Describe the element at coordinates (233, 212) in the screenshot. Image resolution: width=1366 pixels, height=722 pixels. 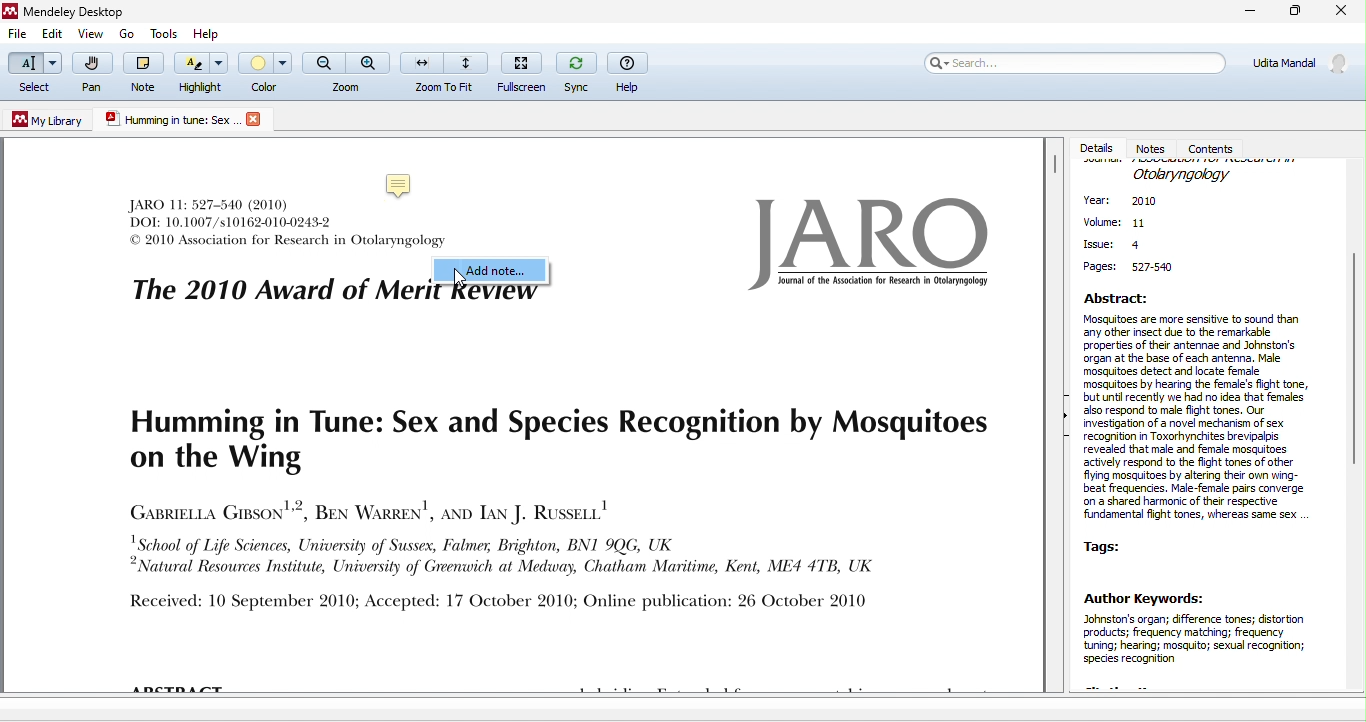
I see `journal text` at that location.